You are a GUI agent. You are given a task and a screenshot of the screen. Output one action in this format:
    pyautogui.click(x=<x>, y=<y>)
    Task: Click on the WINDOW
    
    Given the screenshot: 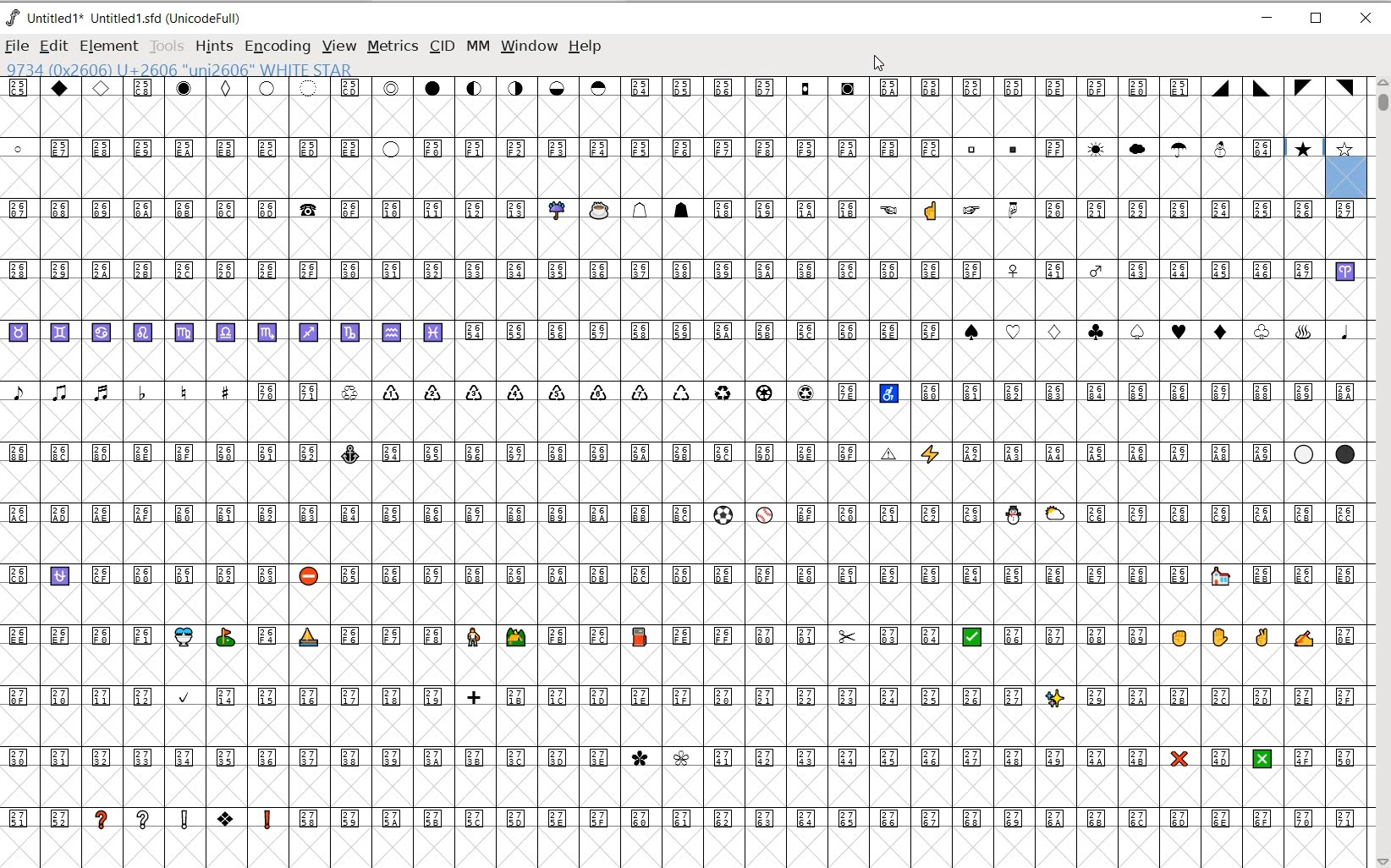 What is the action you would take?
    pyautogui.click(x=528, y=46)
    